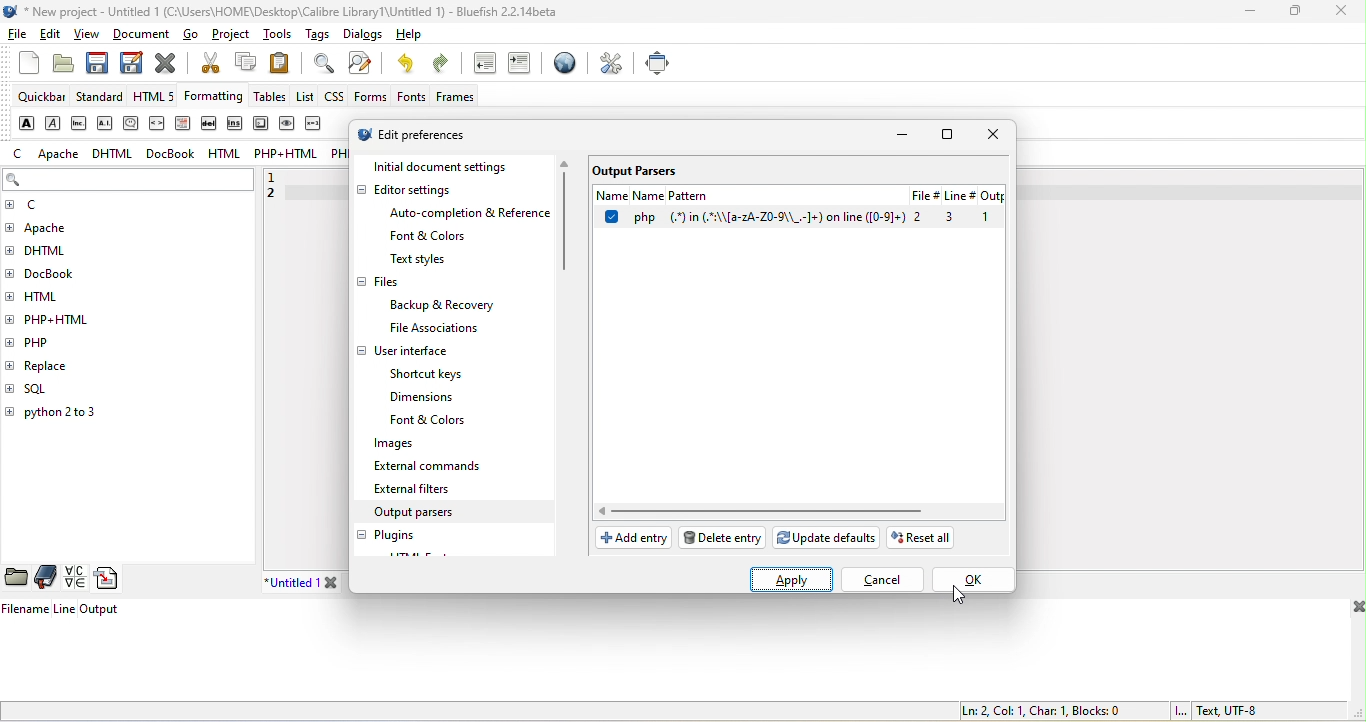 Image resolution: width=1366 pixels, height=722 pixels. I want to click on select ok, so click(972, 582).